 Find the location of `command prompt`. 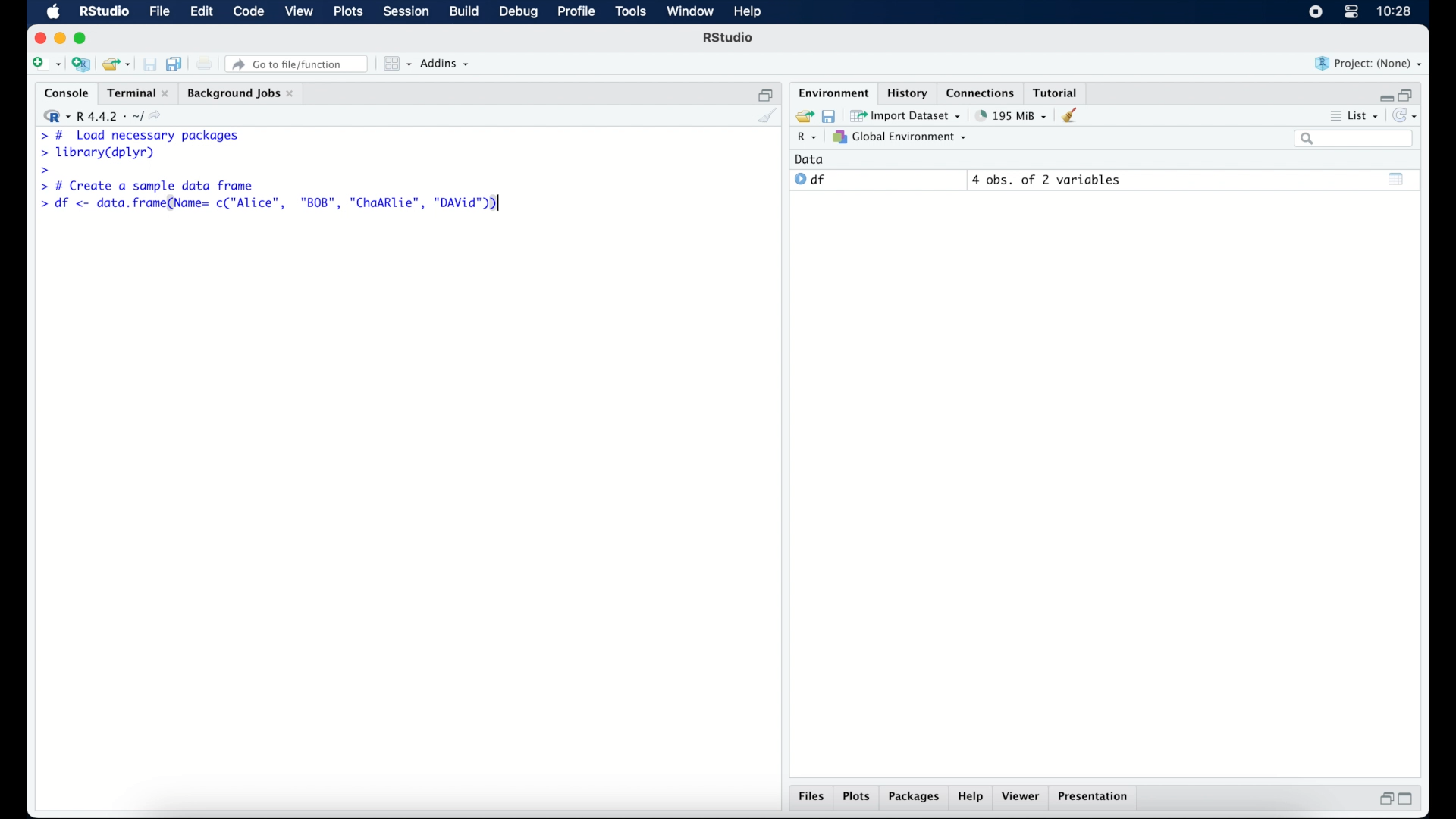

command prompt is located at coordinates (42, 171).